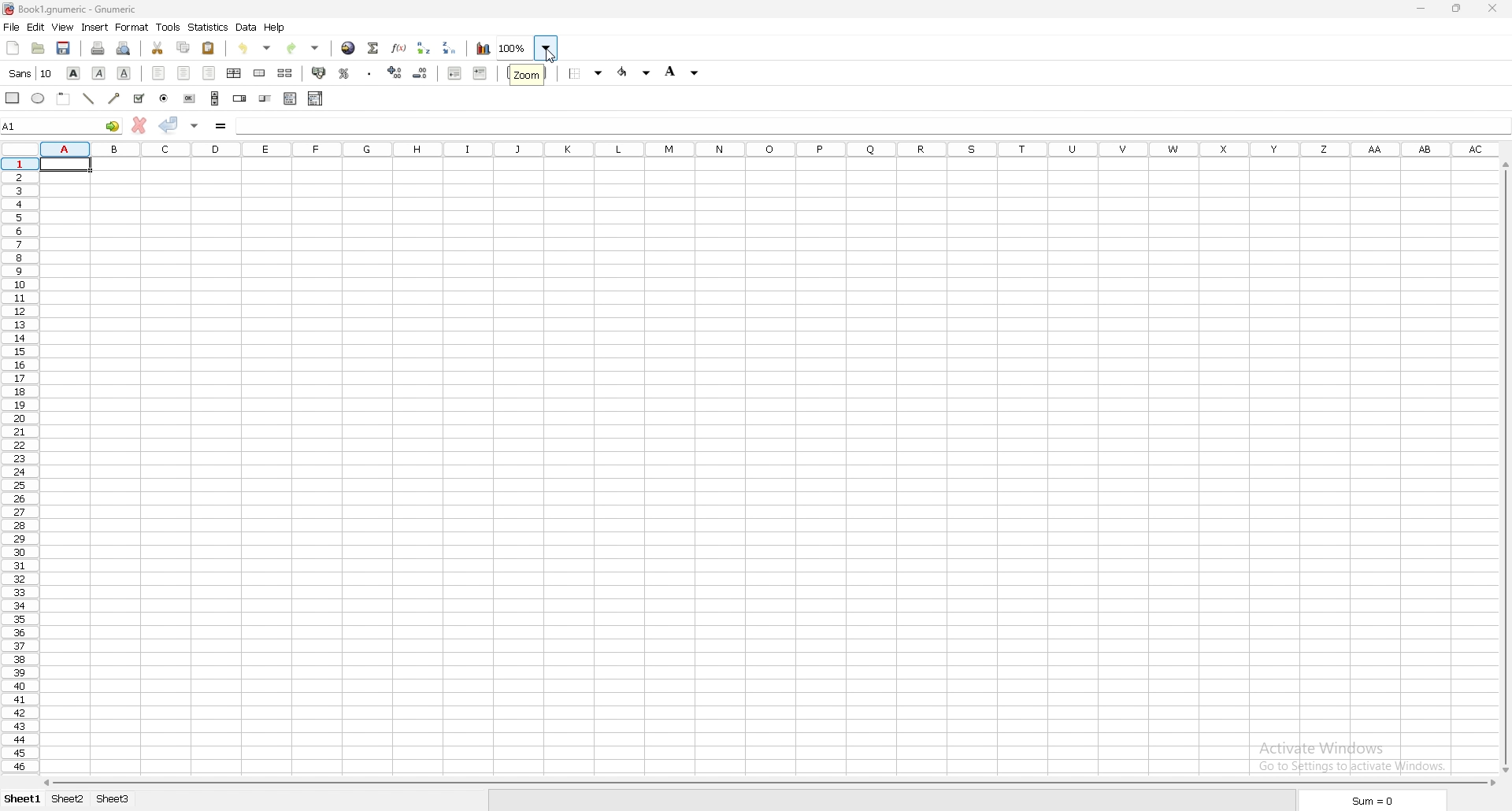 The width and height of the screenshot is (1512, 811). I want to click on print, so click(98, 48).